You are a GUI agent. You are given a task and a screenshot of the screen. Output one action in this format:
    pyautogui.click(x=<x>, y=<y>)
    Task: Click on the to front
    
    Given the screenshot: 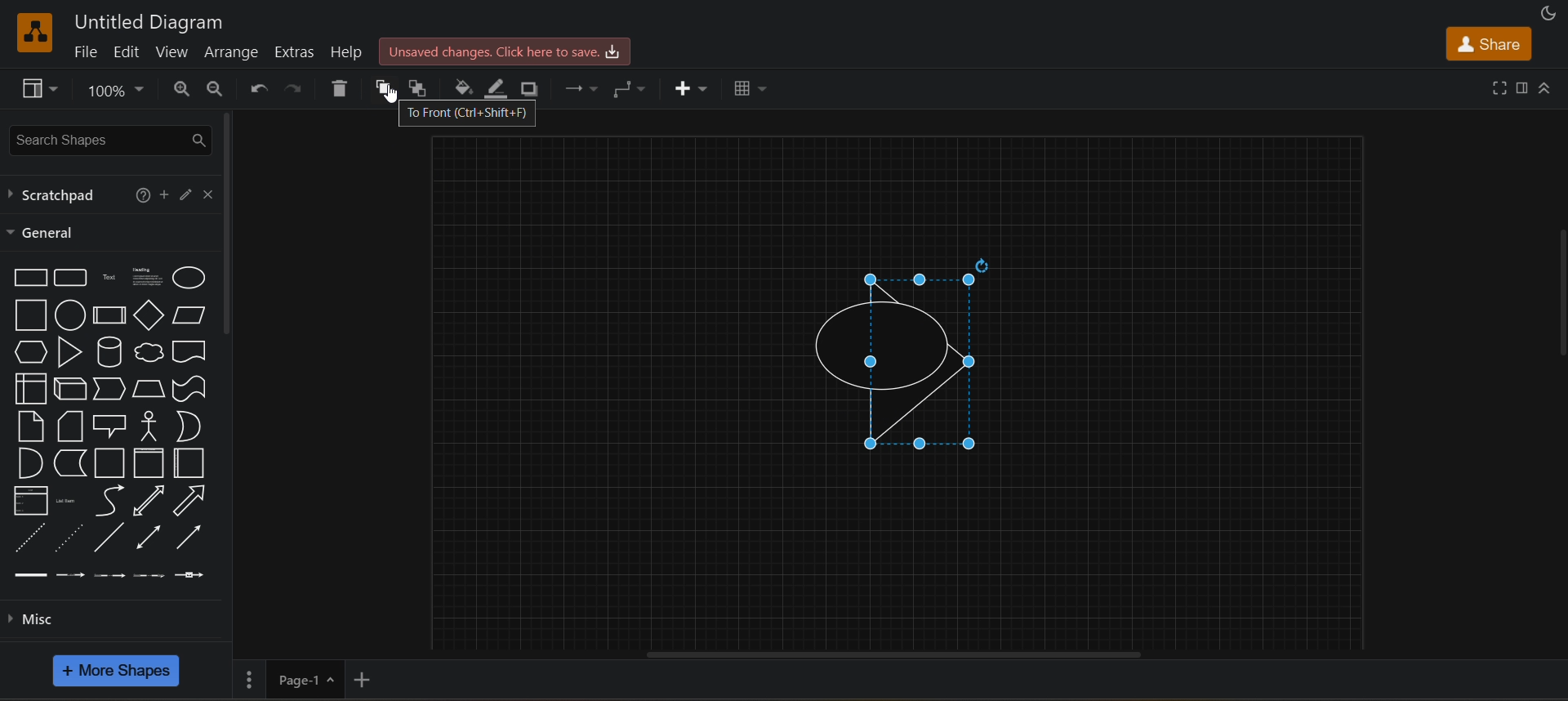 What is the action you would take?
    pyautogui.click(x=467, y=117)
    